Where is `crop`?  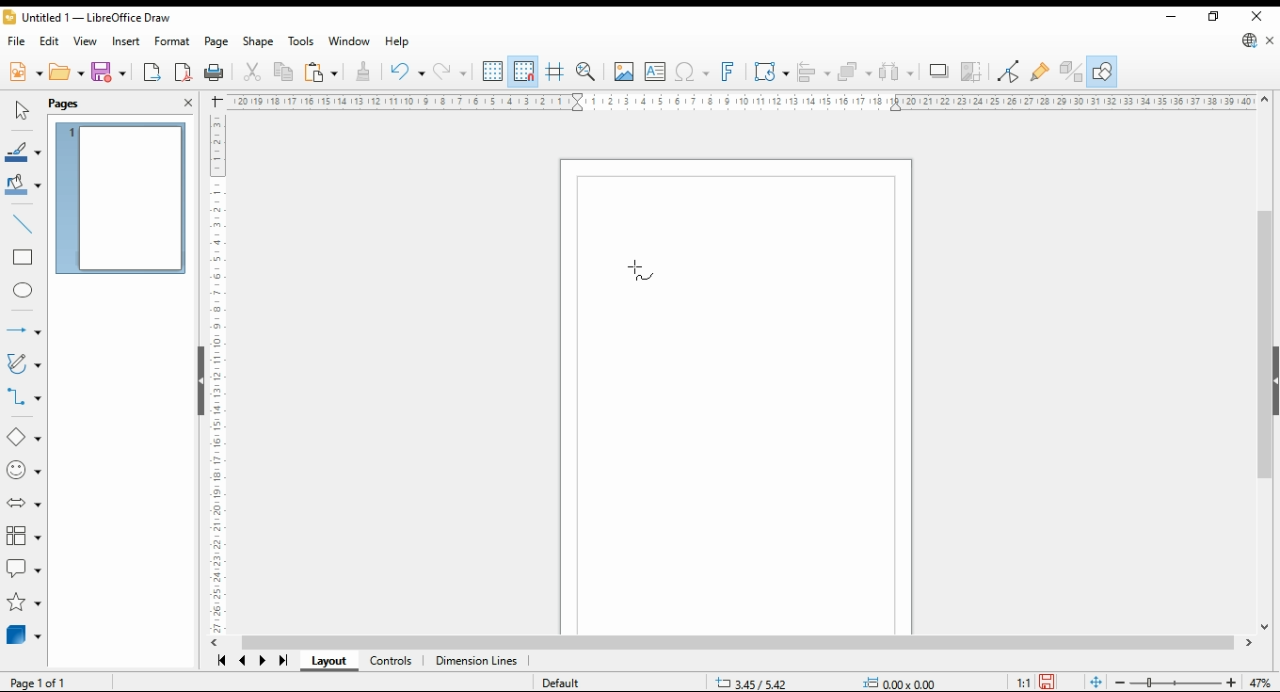 crop is located at coordinates (970, 72).